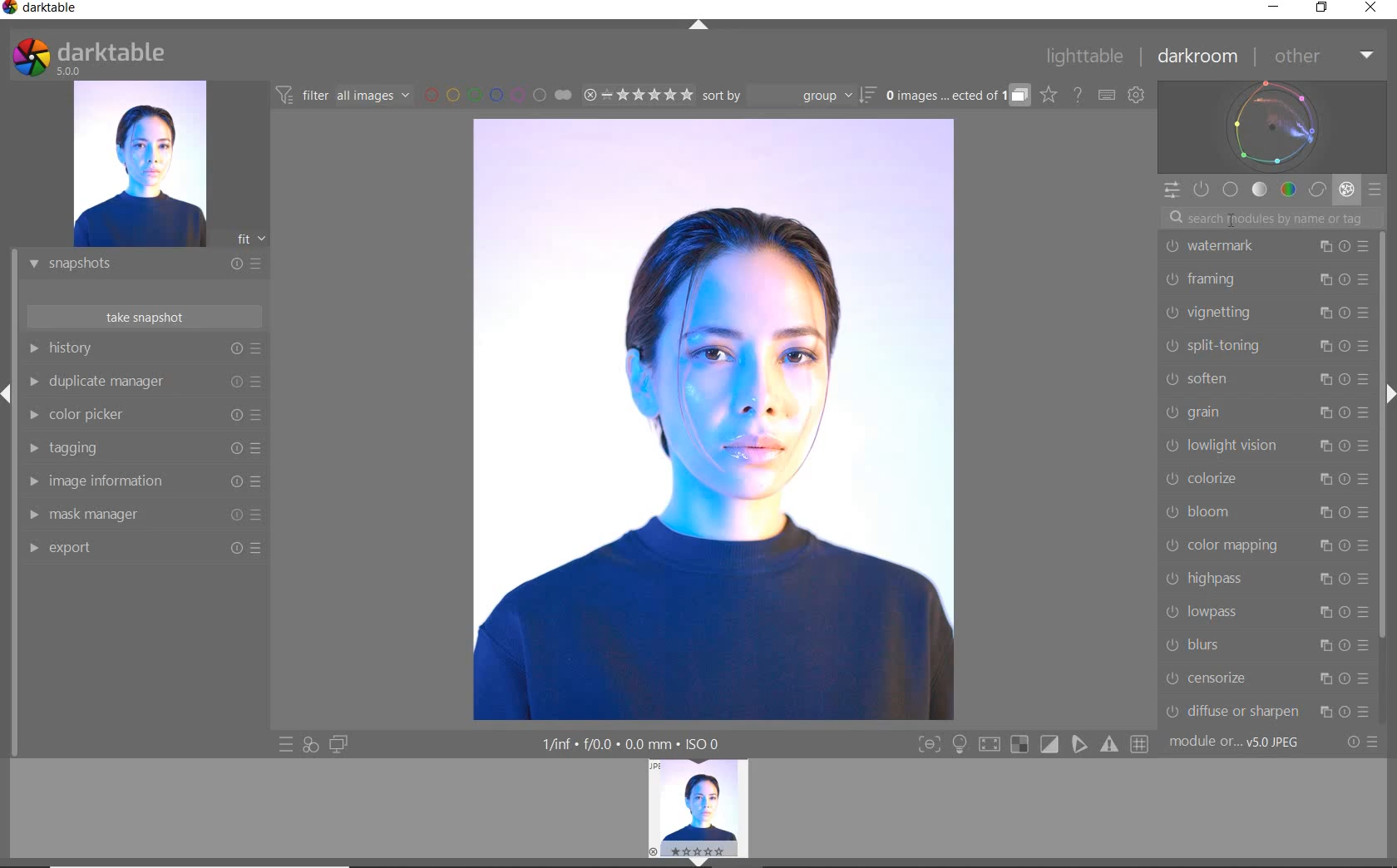 Image resolution: width=1397 pixels, height=868 pixels. Describe the element at coordinates (1265, 611) in the screenshot. I see `LOWPASS` at that location.